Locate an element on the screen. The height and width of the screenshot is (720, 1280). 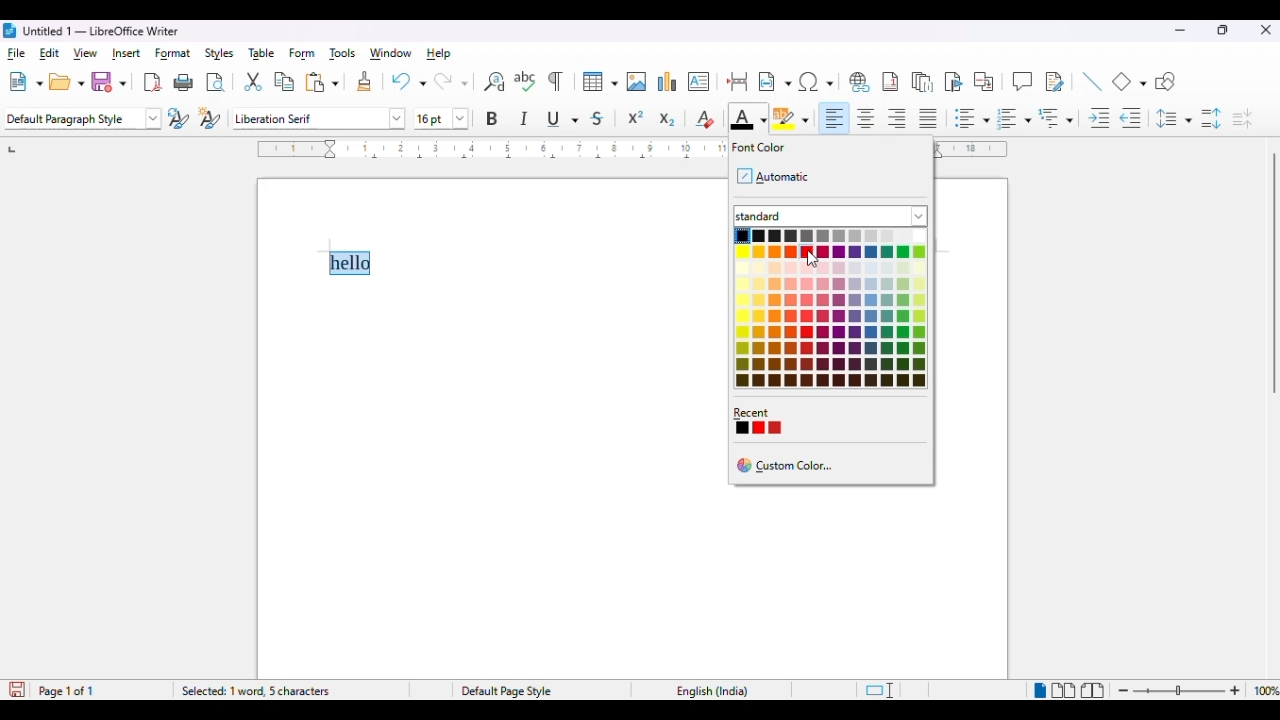
zoom factor is located at coordinates (1265, 690).